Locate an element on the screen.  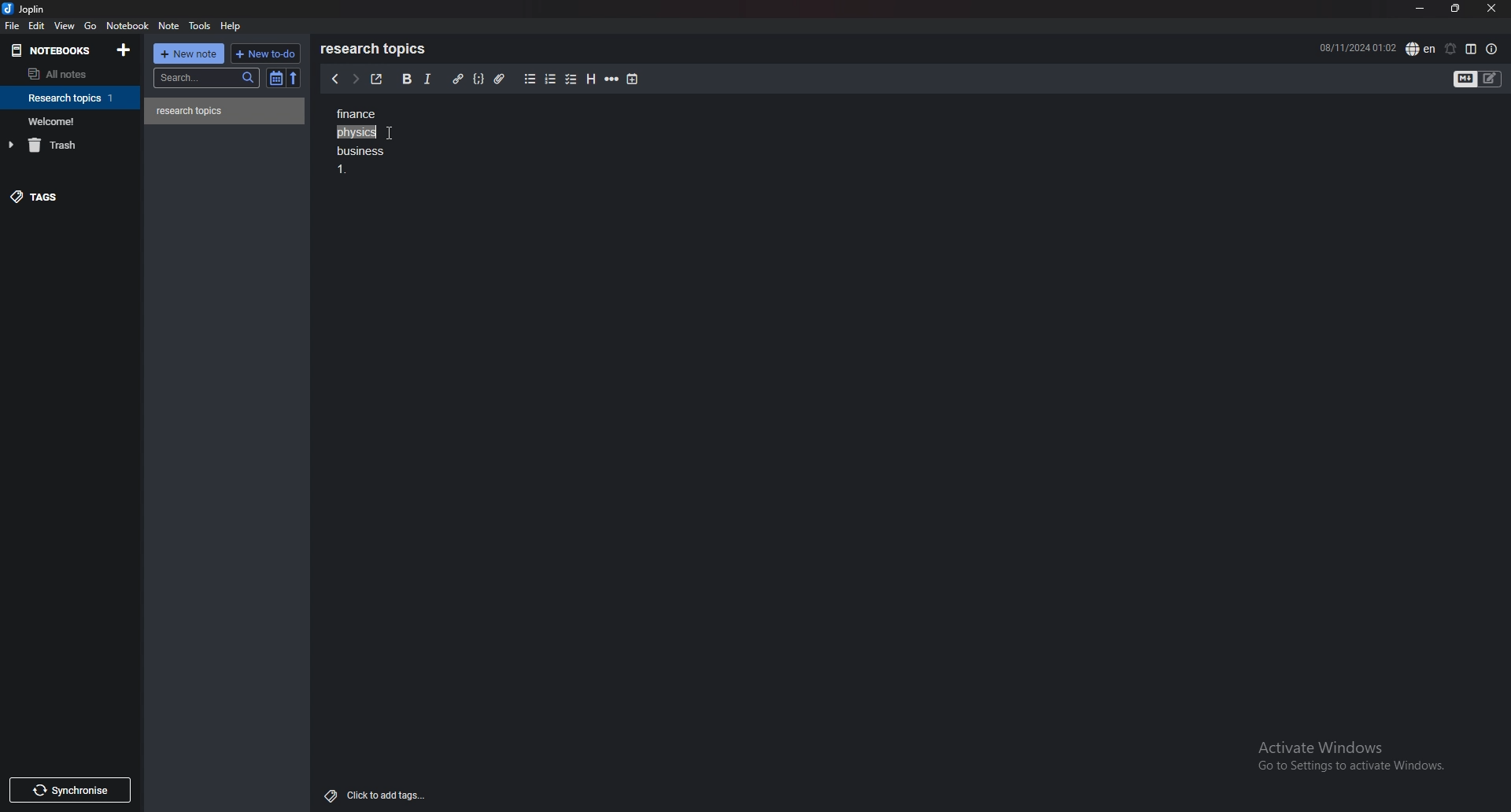
edit is located at coordinates (36, 25).